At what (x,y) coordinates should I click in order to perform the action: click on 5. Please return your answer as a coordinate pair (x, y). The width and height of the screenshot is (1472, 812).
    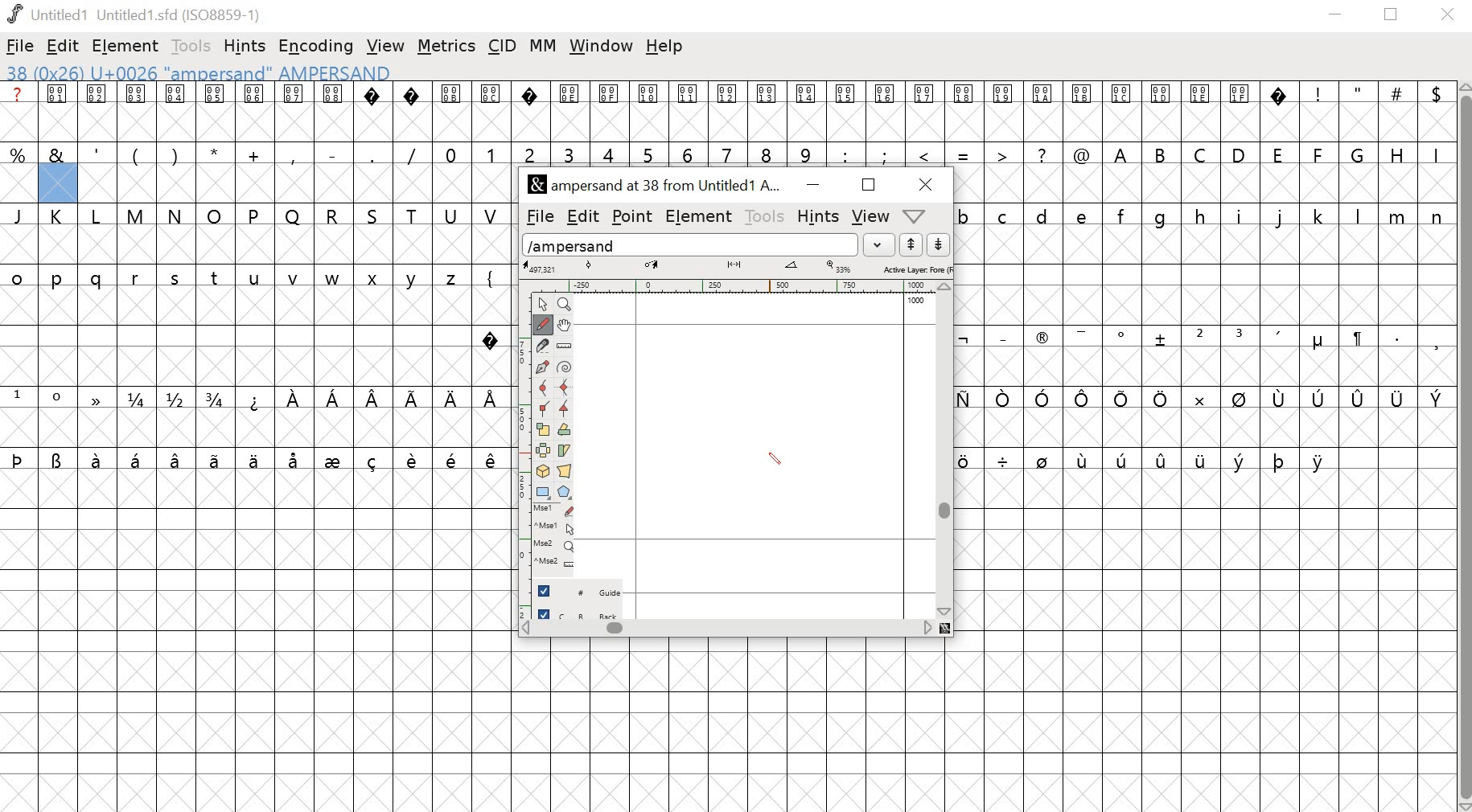
    Looking at the image, I should click on (648, 154).